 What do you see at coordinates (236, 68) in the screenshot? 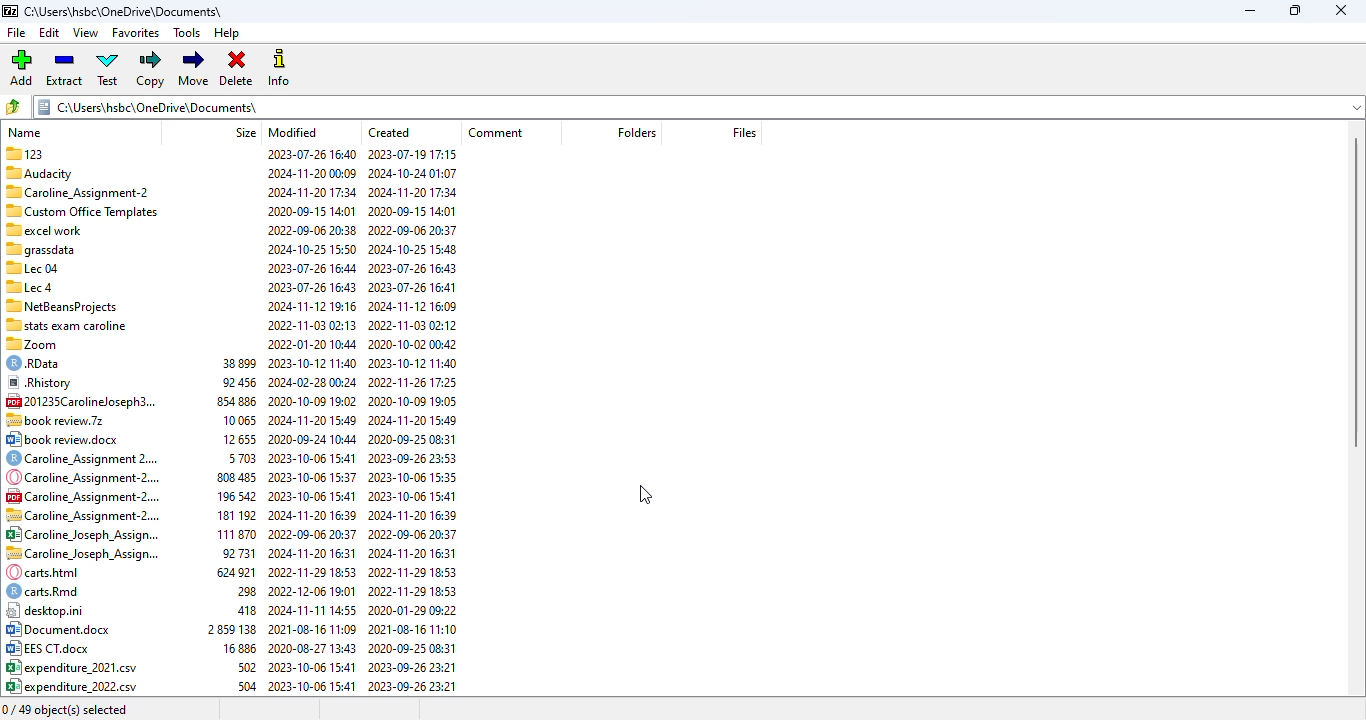
I see `delete` at bounding box center [236, 68].